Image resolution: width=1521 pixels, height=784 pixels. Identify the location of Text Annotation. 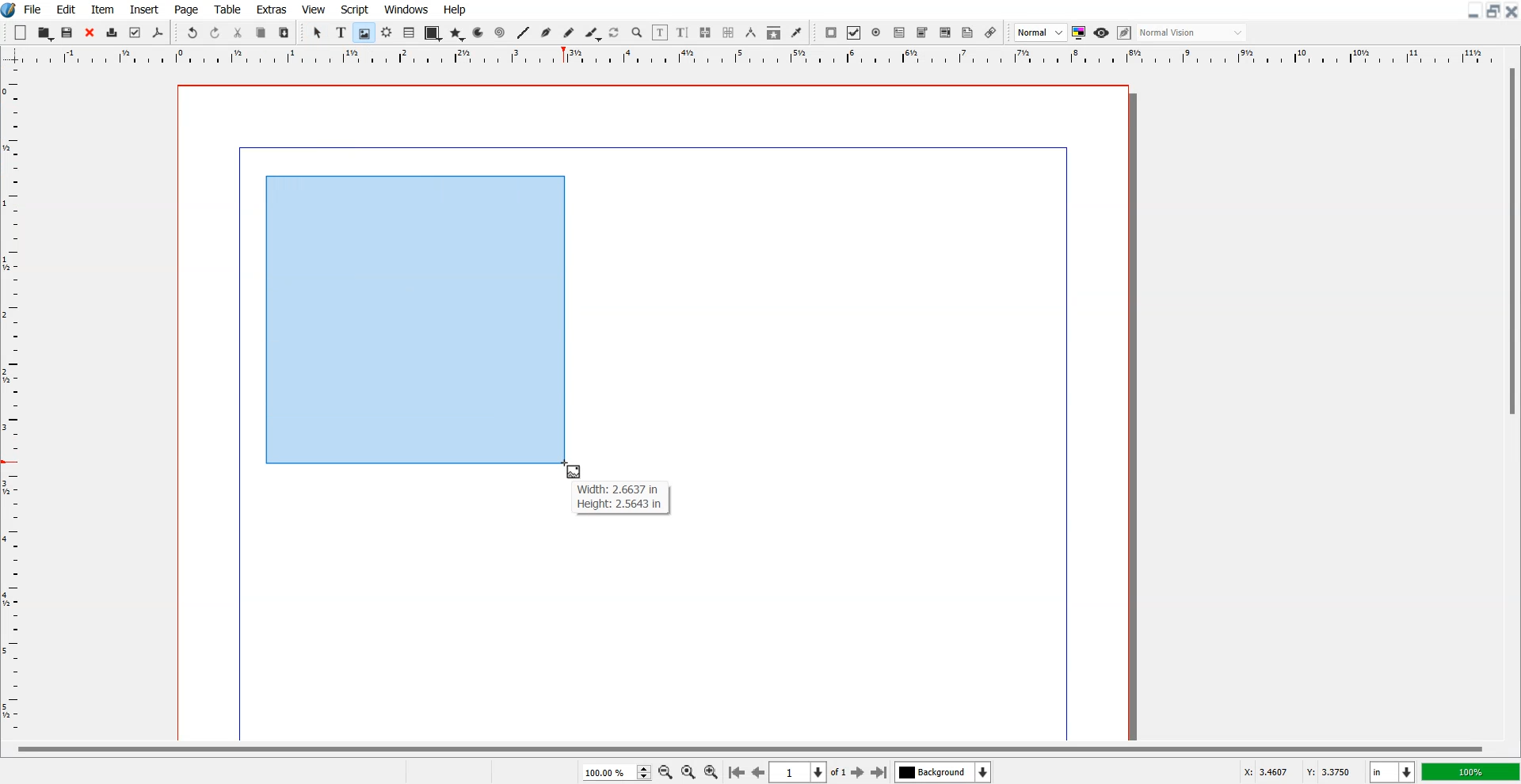
(968, 33).